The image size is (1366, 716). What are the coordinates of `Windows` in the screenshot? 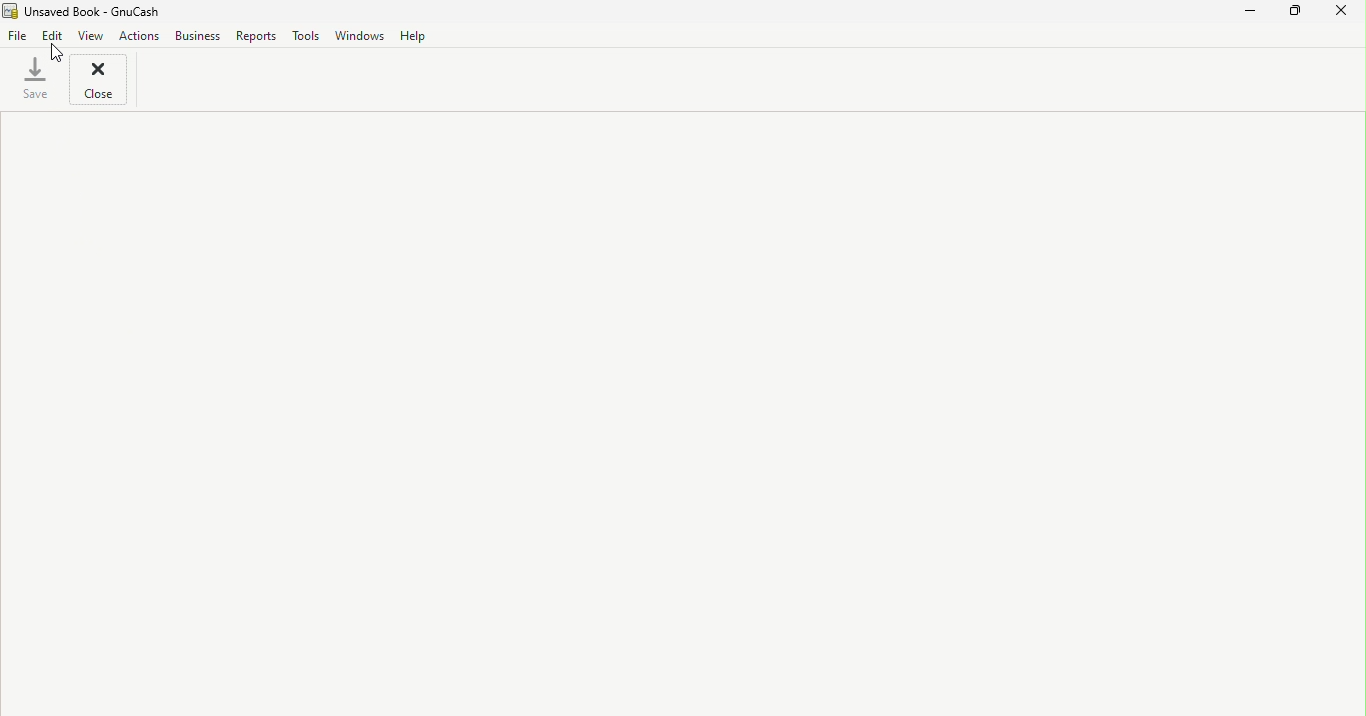 It's located at (360, 35).